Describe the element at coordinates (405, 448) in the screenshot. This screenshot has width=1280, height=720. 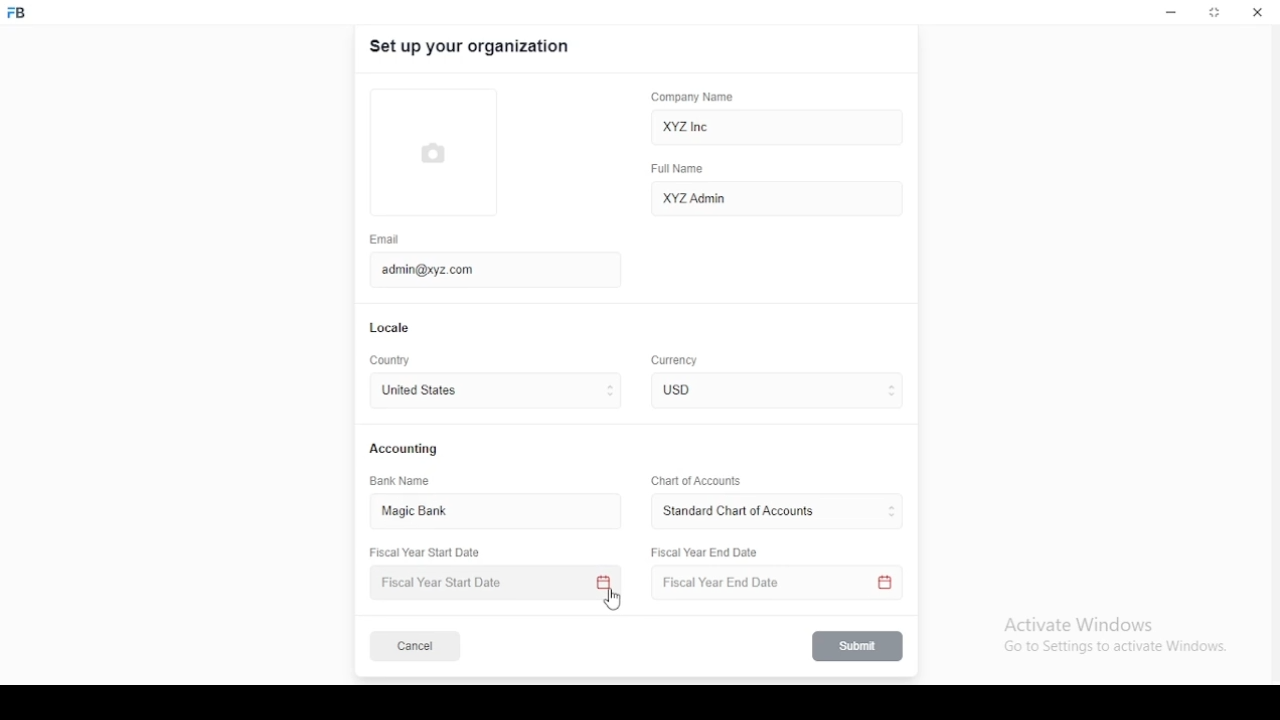
I see `accounting` at that location.